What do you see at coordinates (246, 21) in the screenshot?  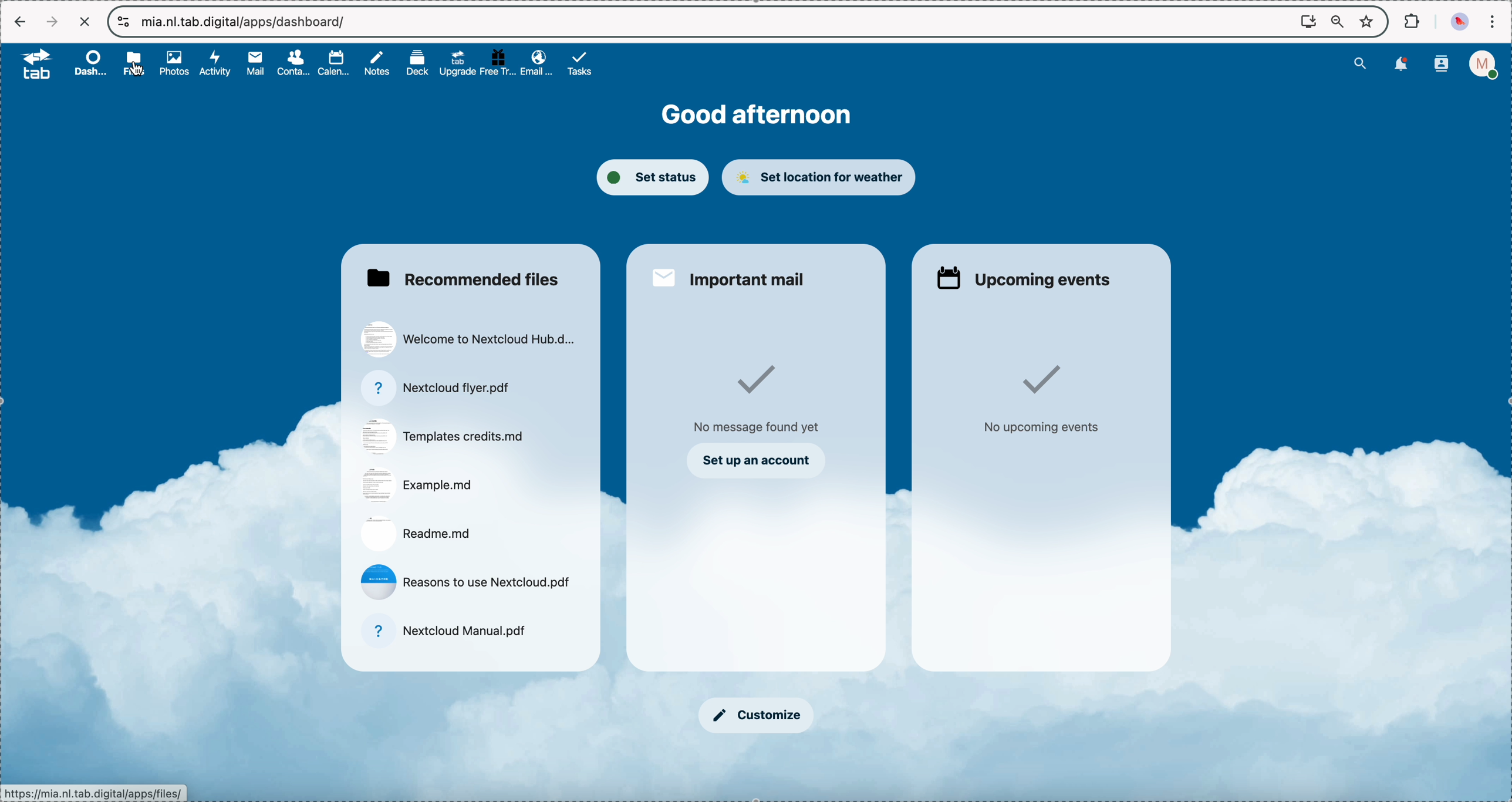 I see `url` at bounding box center [246, 21].